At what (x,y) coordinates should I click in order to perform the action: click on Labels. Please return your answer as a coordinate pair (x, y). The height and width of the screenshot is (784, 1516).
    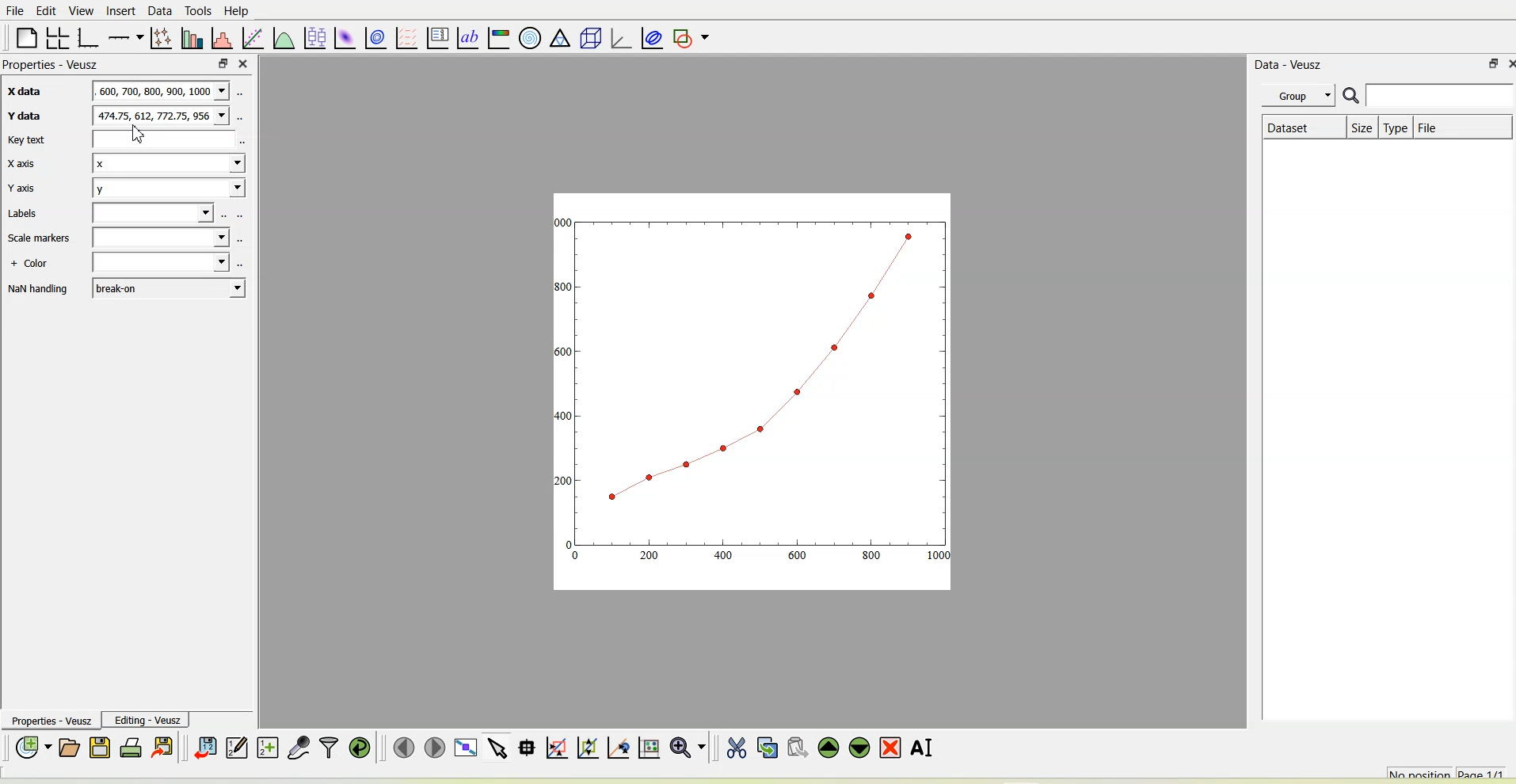
    Looking at the image, I should click on (23, 213).